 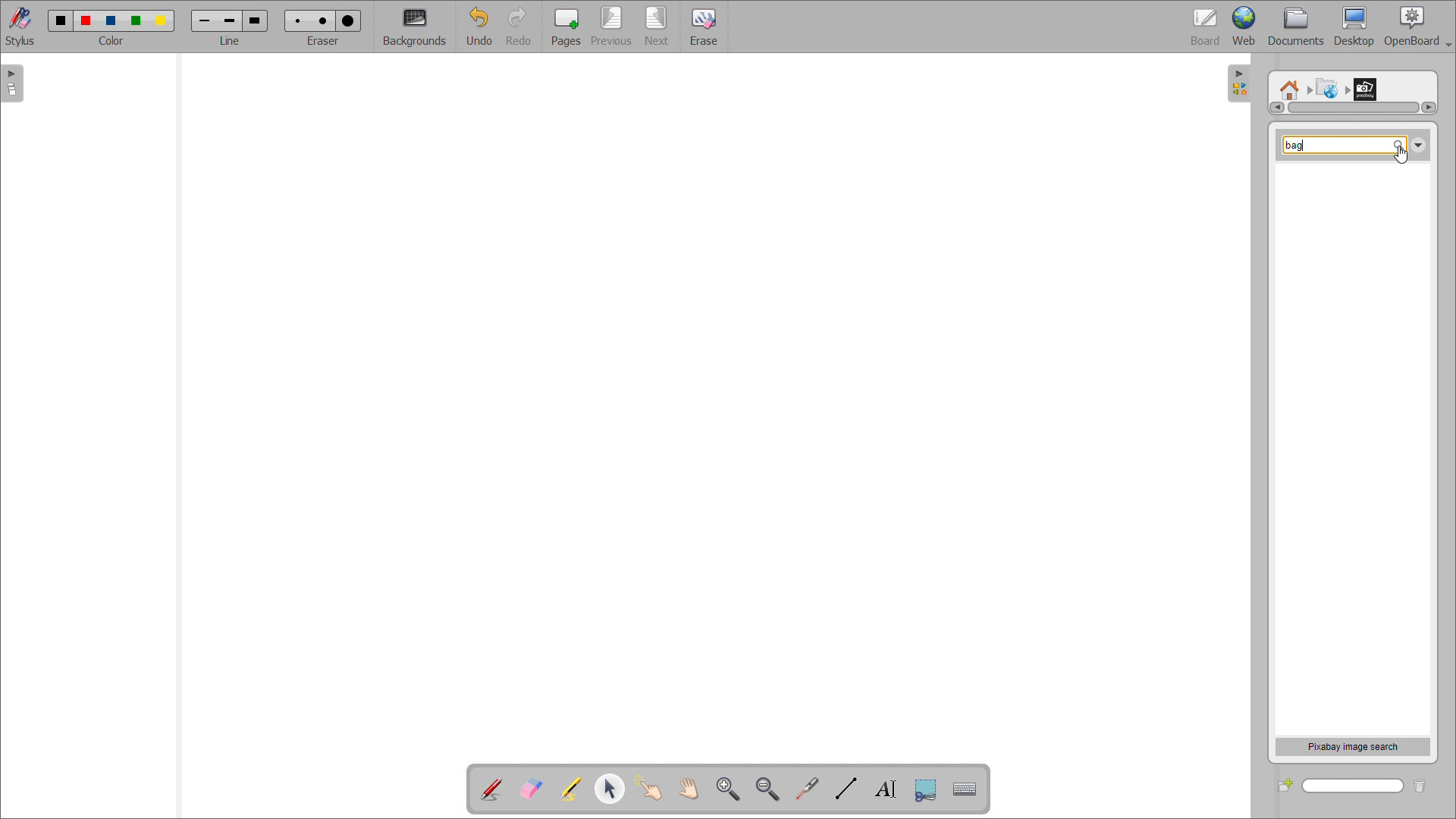 What do you see at coordinates (479, 27) in the screenshot?
I see `undo` at bounding box center [479, 27].